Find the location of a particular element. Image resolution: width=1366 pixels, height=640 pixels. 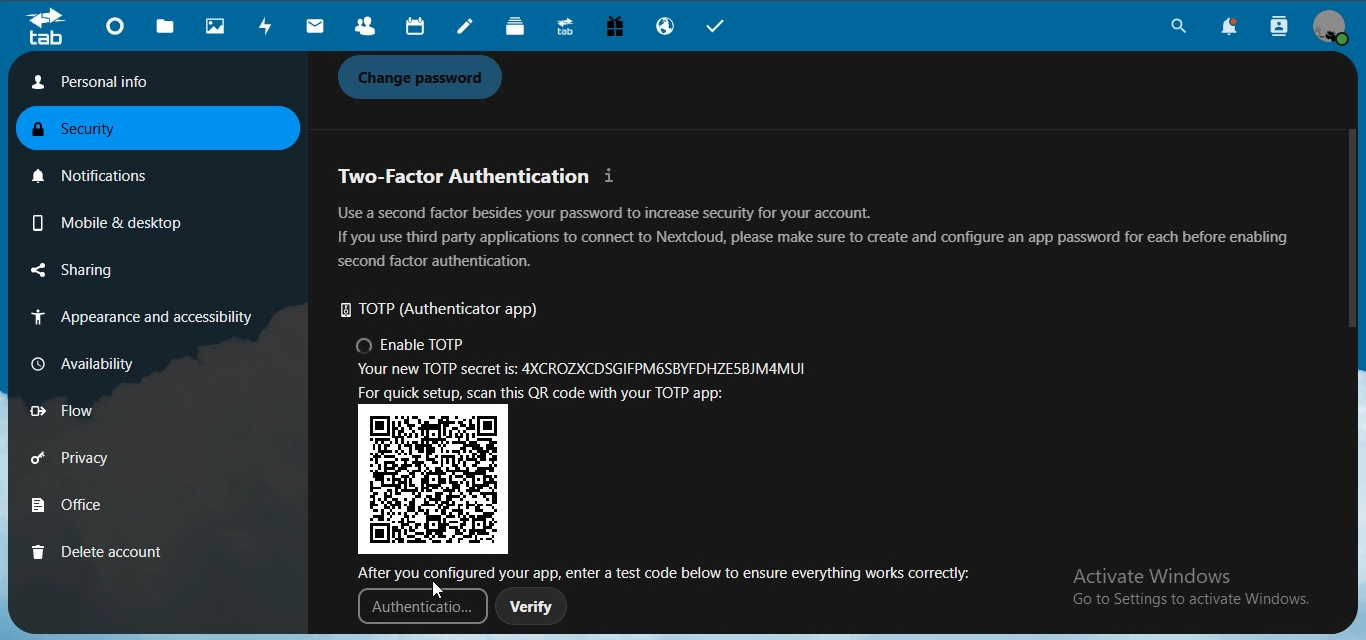

search is located at coordinates (1175, 29).